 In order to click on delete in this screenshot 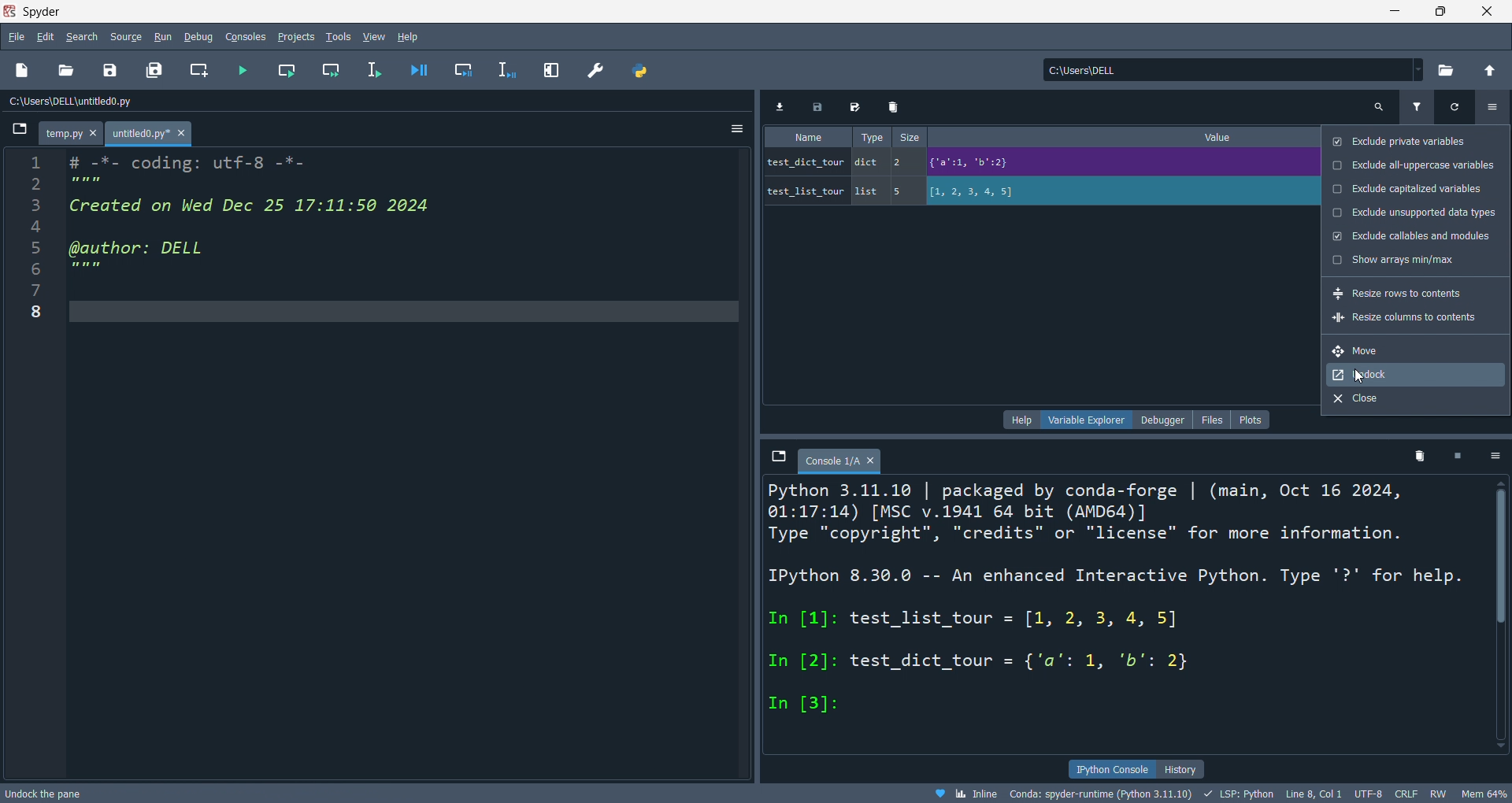, I will do `click(891, 109)`.